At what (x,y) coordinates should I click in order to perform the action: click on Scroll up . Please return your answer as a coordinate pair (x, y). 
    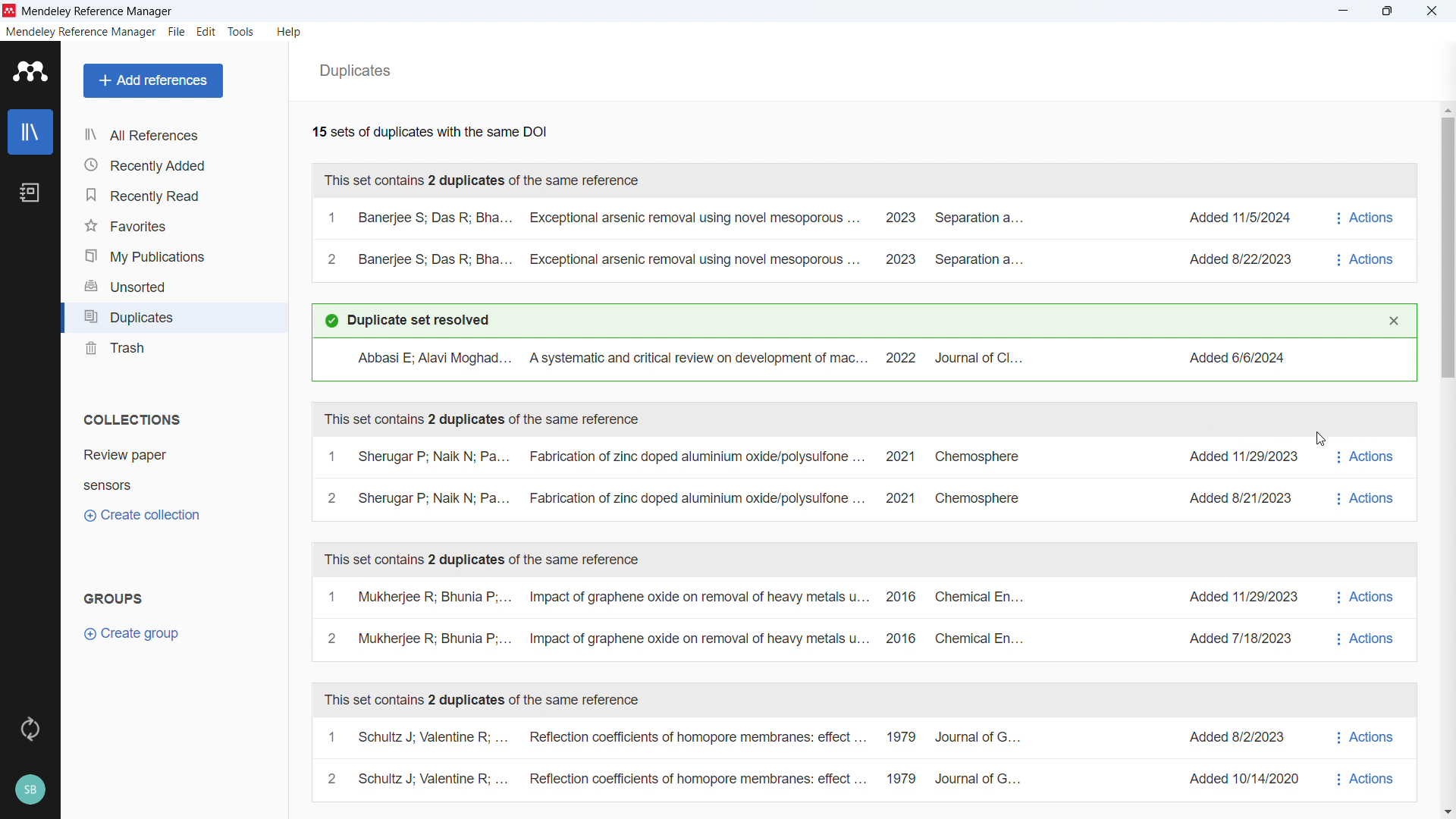
    Looking at the image, I should click on (1447, 110).